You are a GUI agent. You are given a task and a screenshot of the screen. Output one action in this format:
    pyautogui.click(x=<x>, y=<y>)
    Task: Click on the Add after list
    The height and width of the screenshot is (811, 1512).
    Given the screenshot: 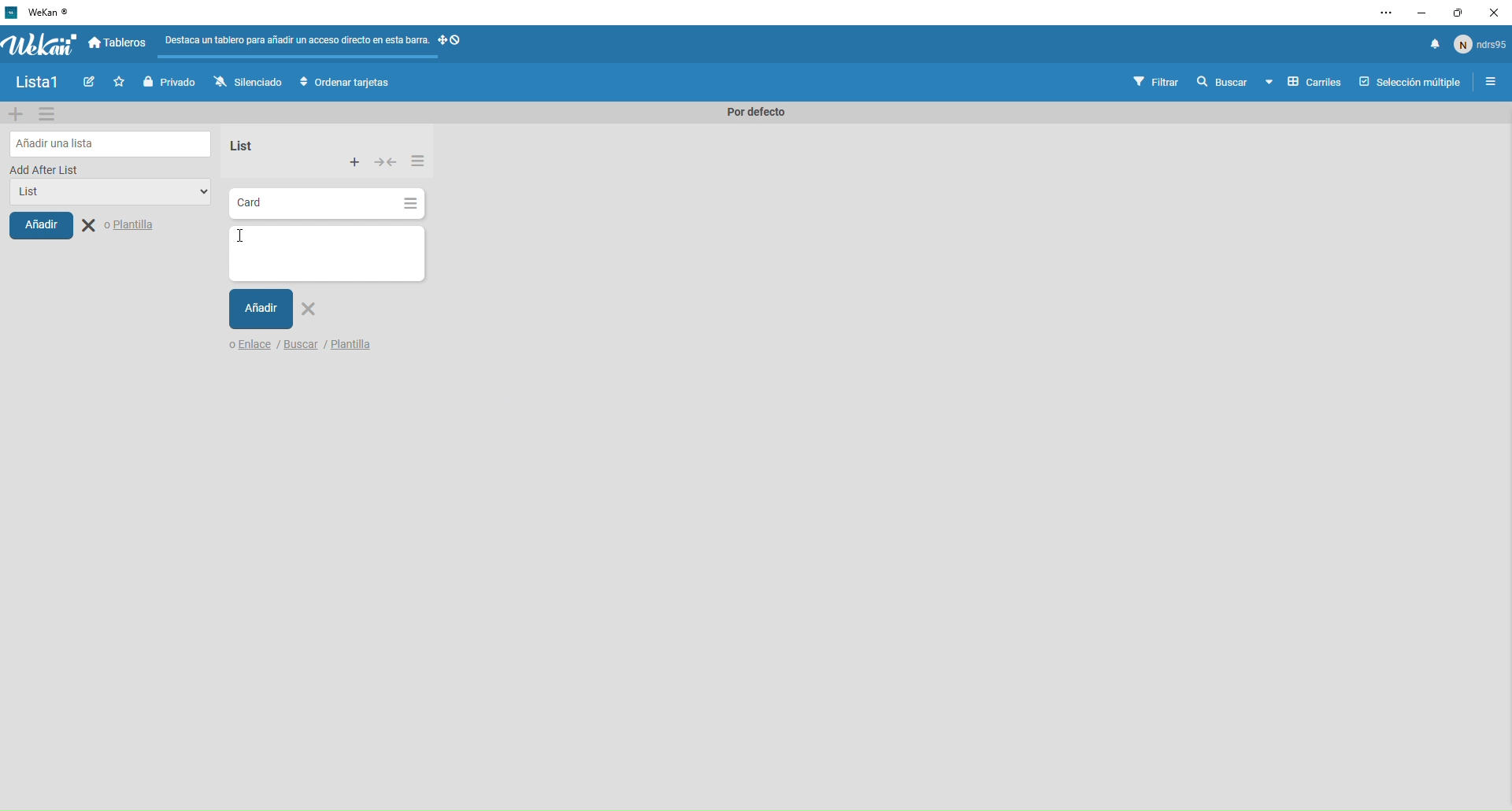 What is the action you would take?
    pyautogui.click(x=46, y=169)
    